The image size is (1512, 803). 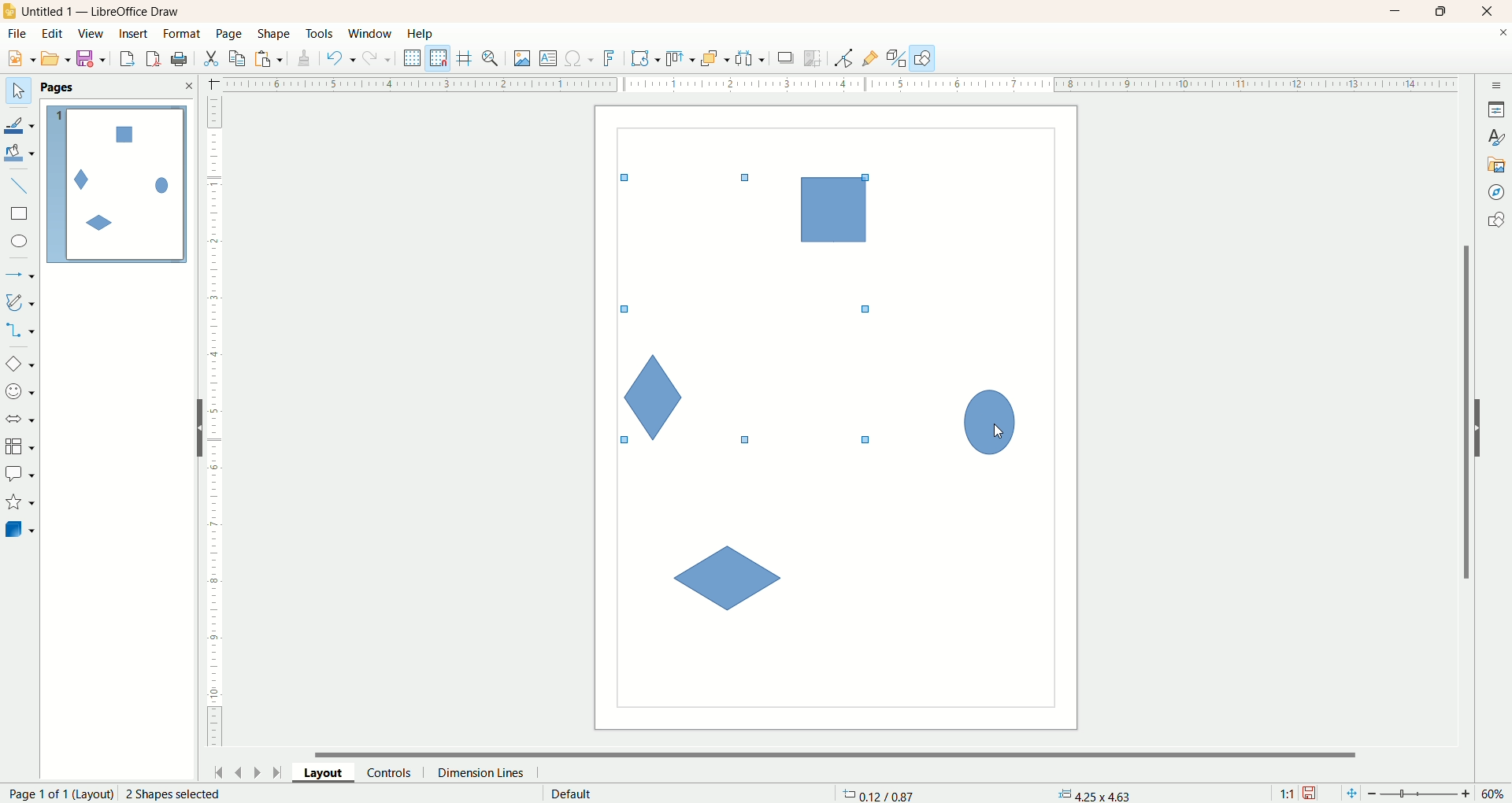 What do you see at coordinates (1497, 83) in the screenshot?
I see `sidebar settings` at bounding box center [1497, 83].